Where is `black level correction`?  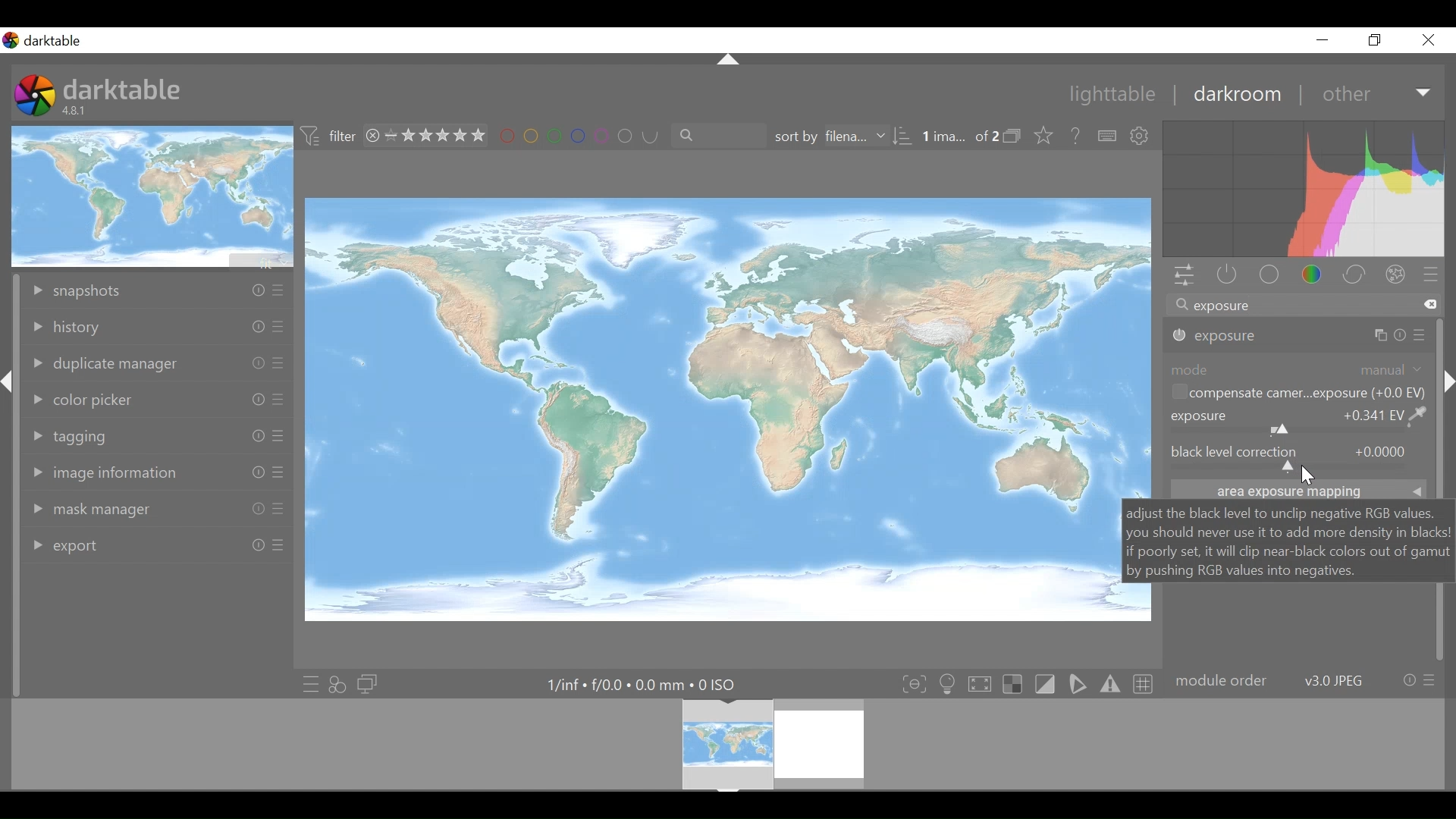 black level correction is located at coordinates (1298, 459).